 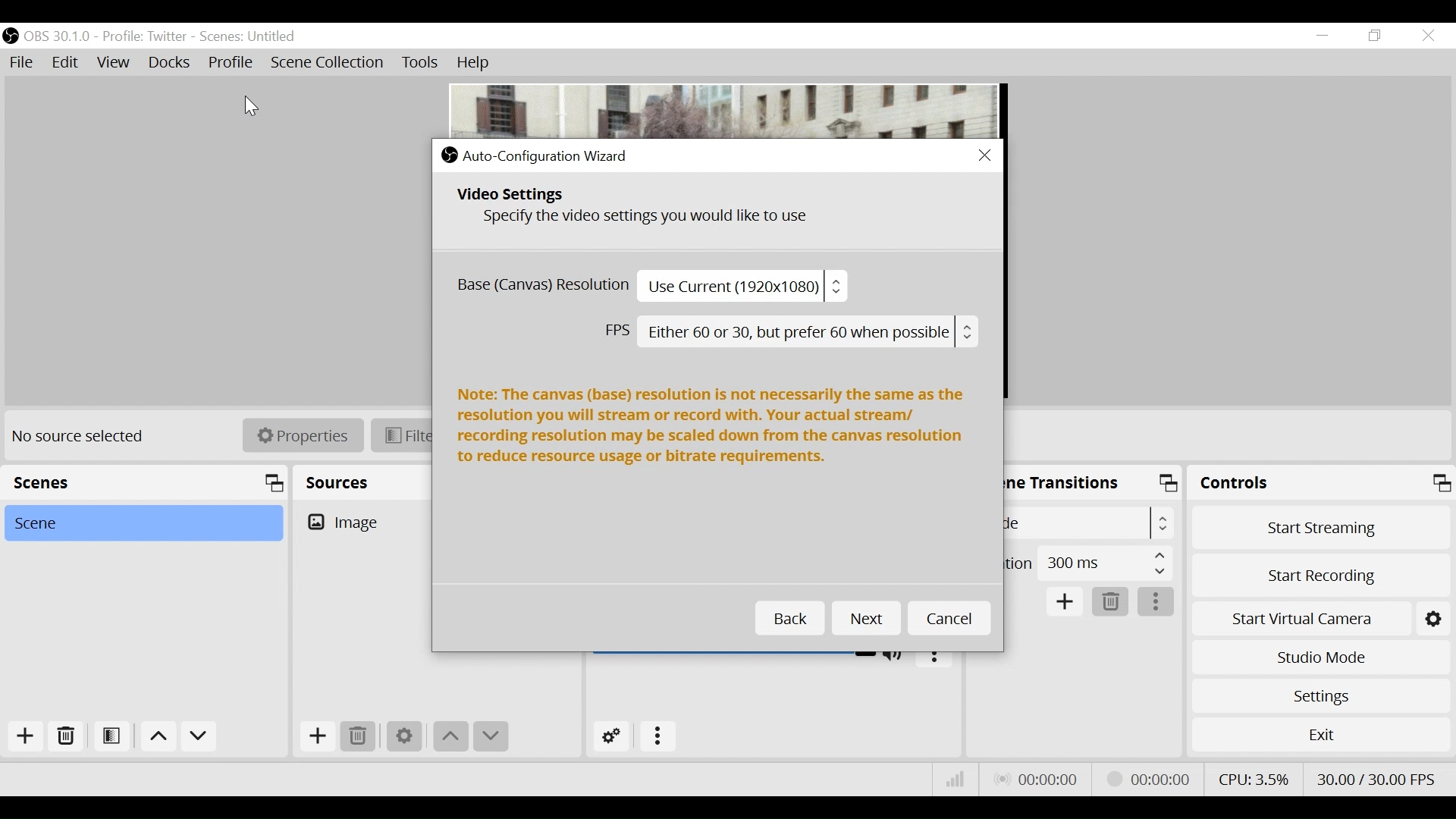 What do you see at coordinates (658, 737) in the screenshot?
I see `More Options` at bounding box center [658, 737].